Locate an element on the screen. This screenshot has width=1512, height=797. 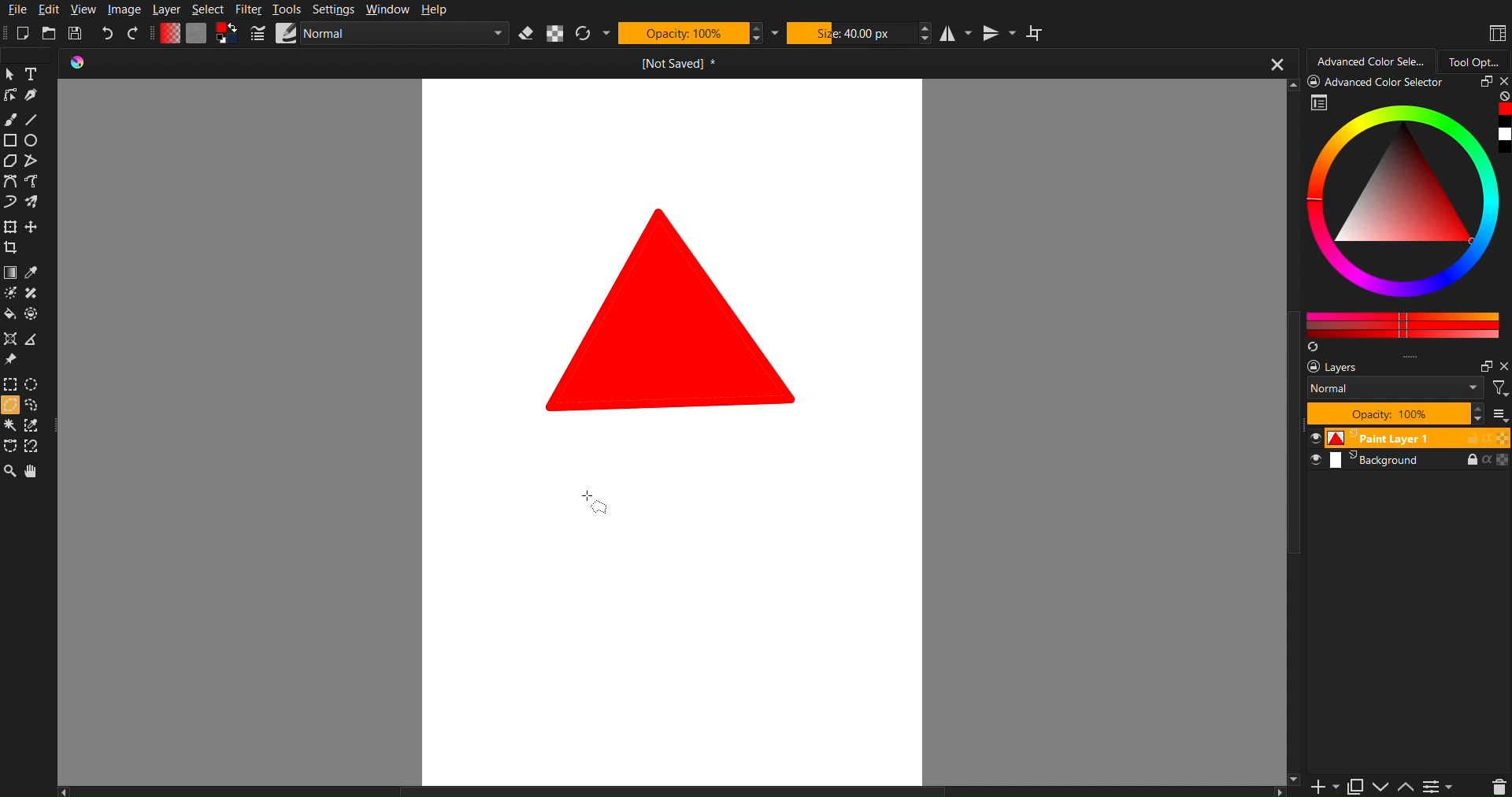
Lineart Tools is located at coordinates (9, 97).